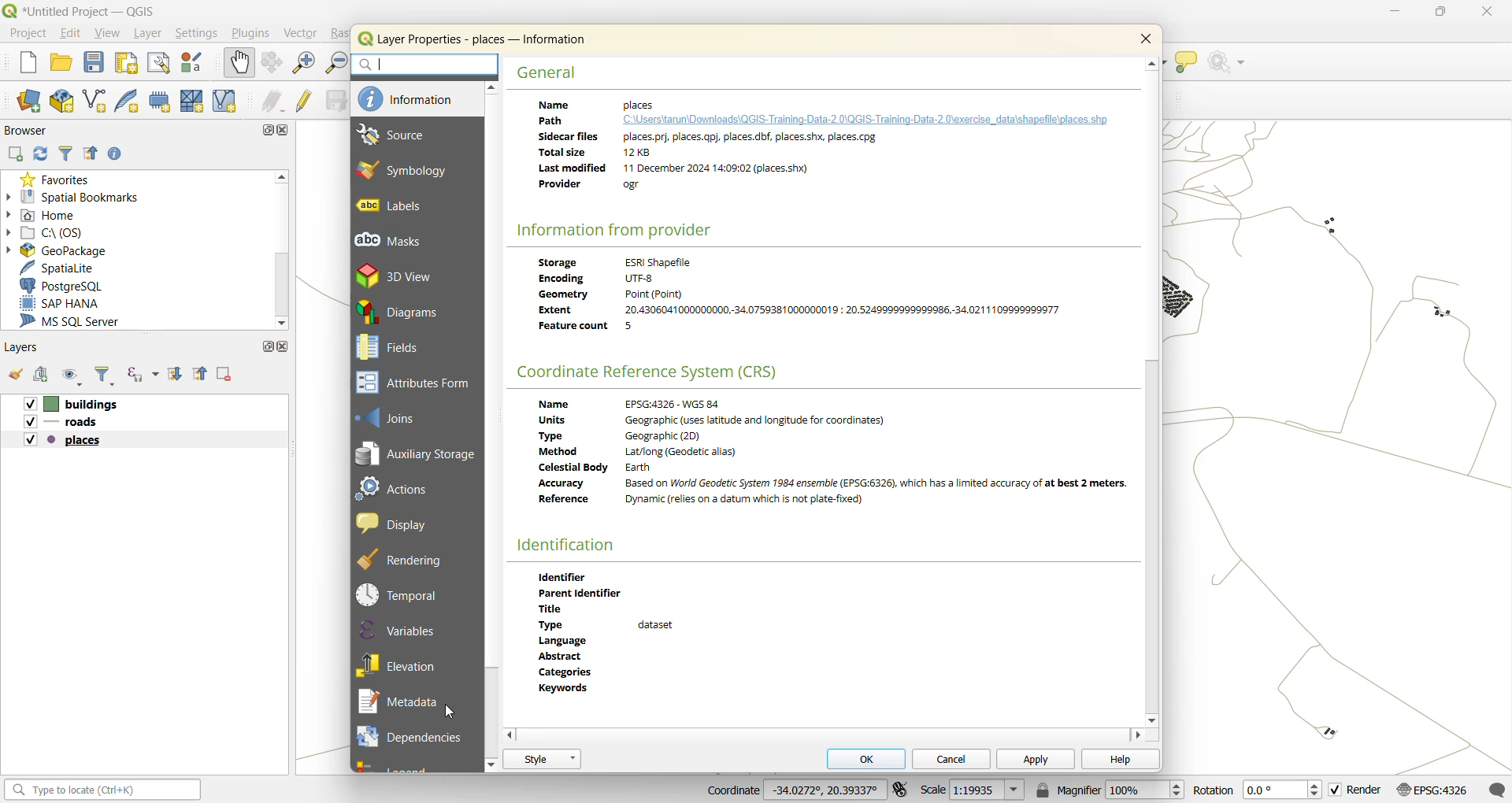 This screenshot has height=803, width=1512. Describe the element at coordinates (396, 274) in the screenshot. I see `3d view` at that location.